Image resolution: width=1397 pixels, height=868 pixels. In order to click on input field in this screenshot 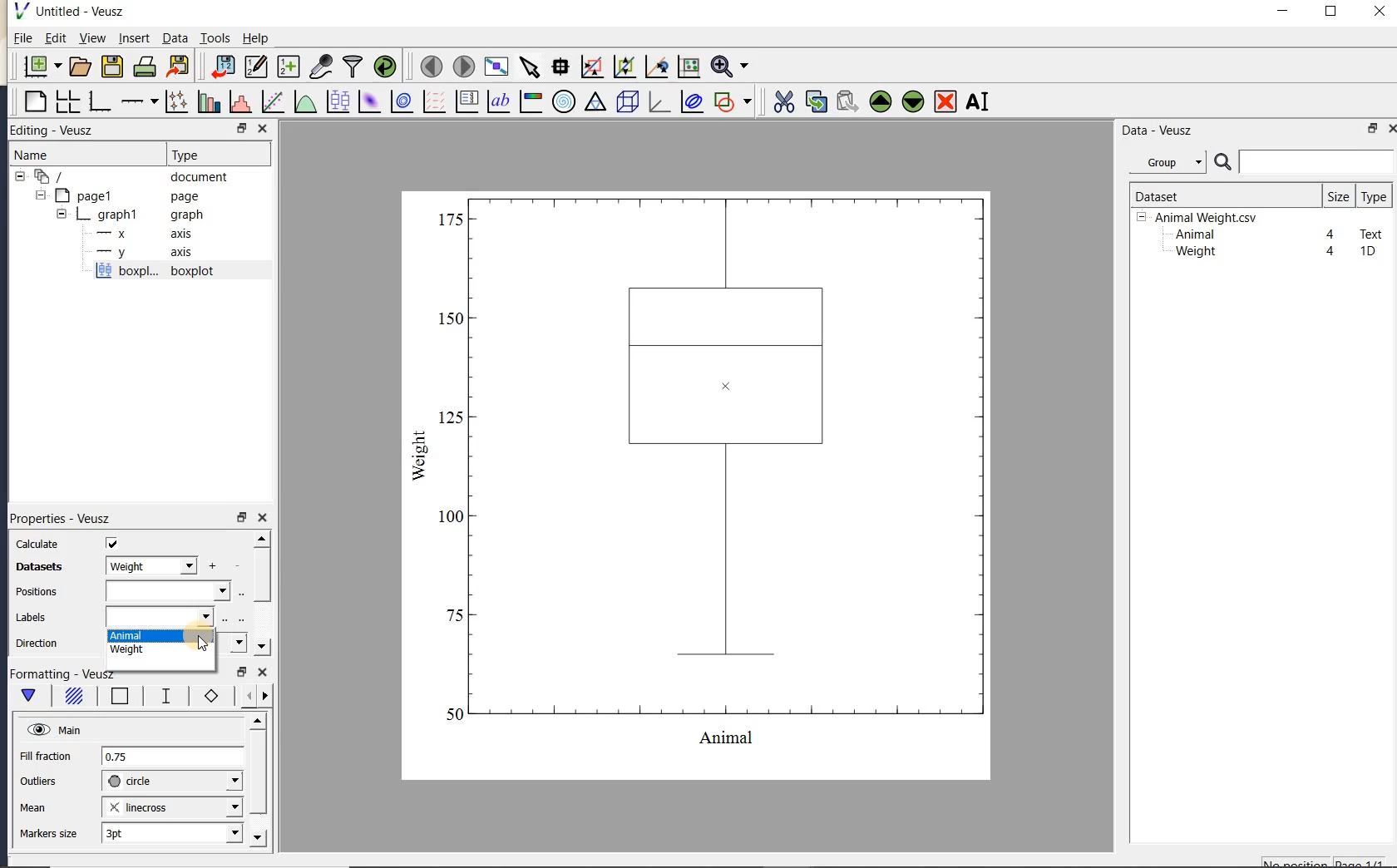, I will do `click(161, 616)`.